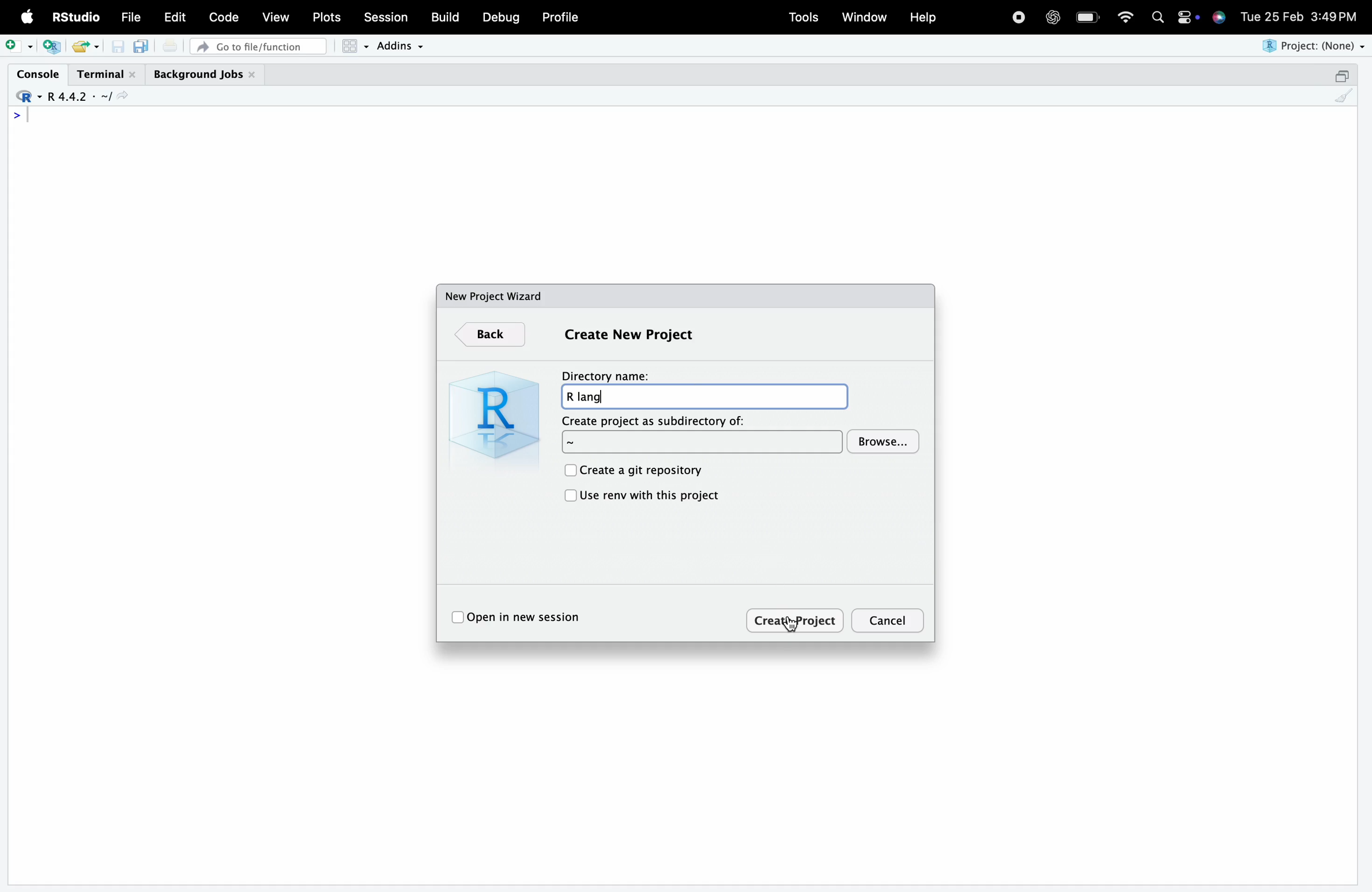  What do you see at coordinates (1335, 15) in the screenshot?
I see `3:48 PM` at bounding box center [1335, 15].